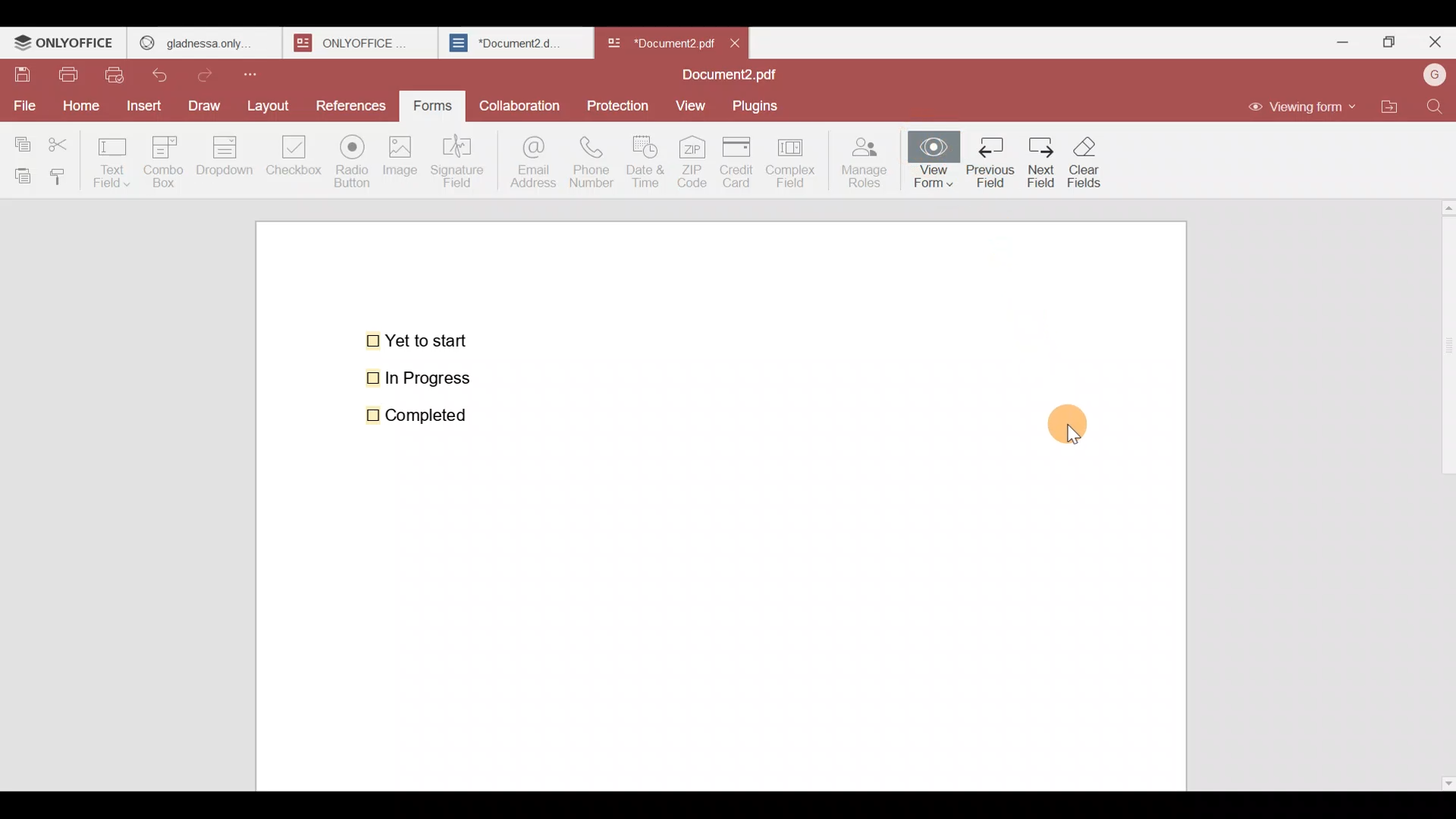 This screenshot has height=819, width=1456. What do you see at coordinates (420, 339) in the screenshot?
I see `Yet to start` at bounding box center [420, 339].